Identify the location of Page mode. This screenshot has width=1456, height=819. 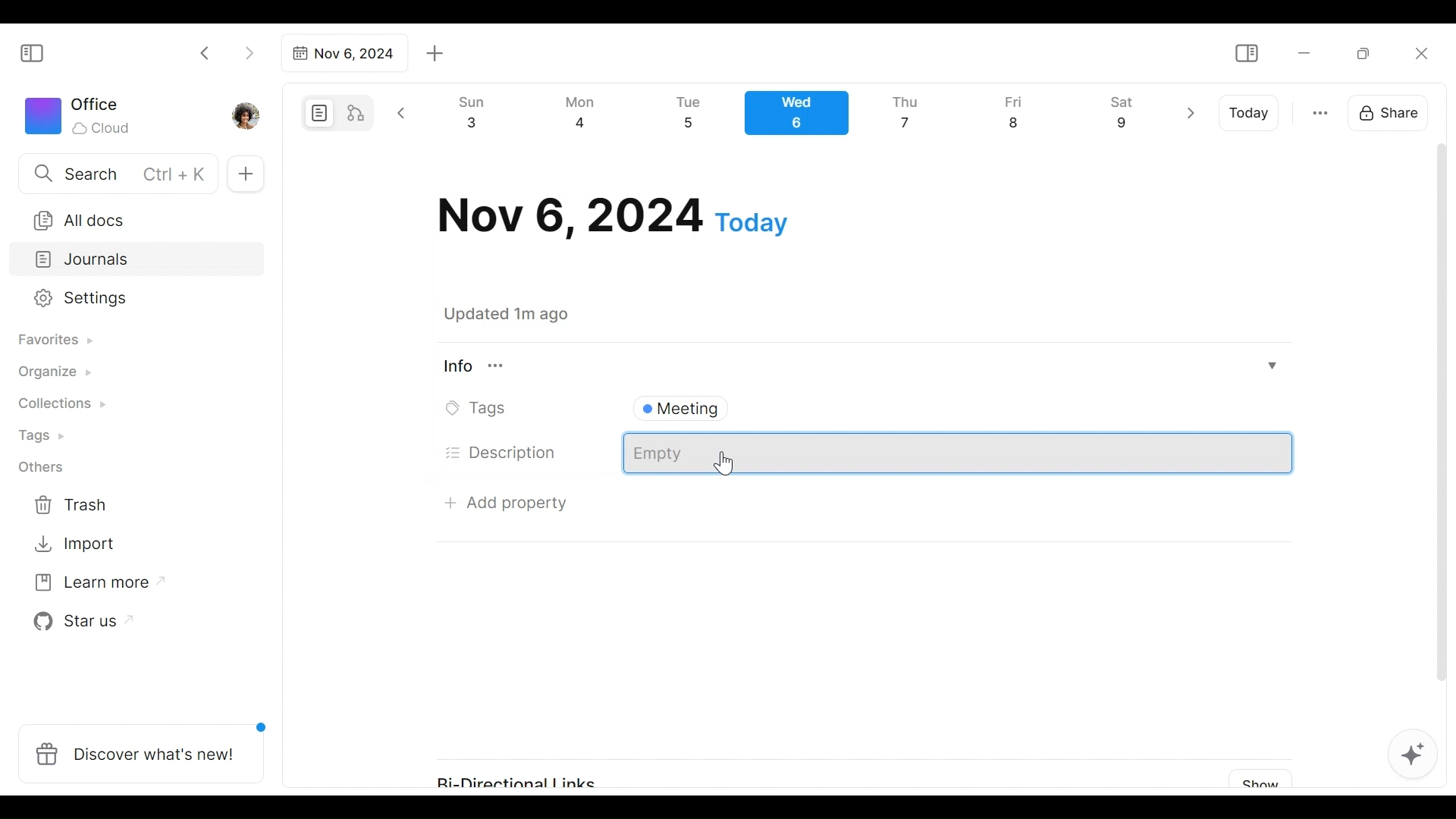
(317, 113).